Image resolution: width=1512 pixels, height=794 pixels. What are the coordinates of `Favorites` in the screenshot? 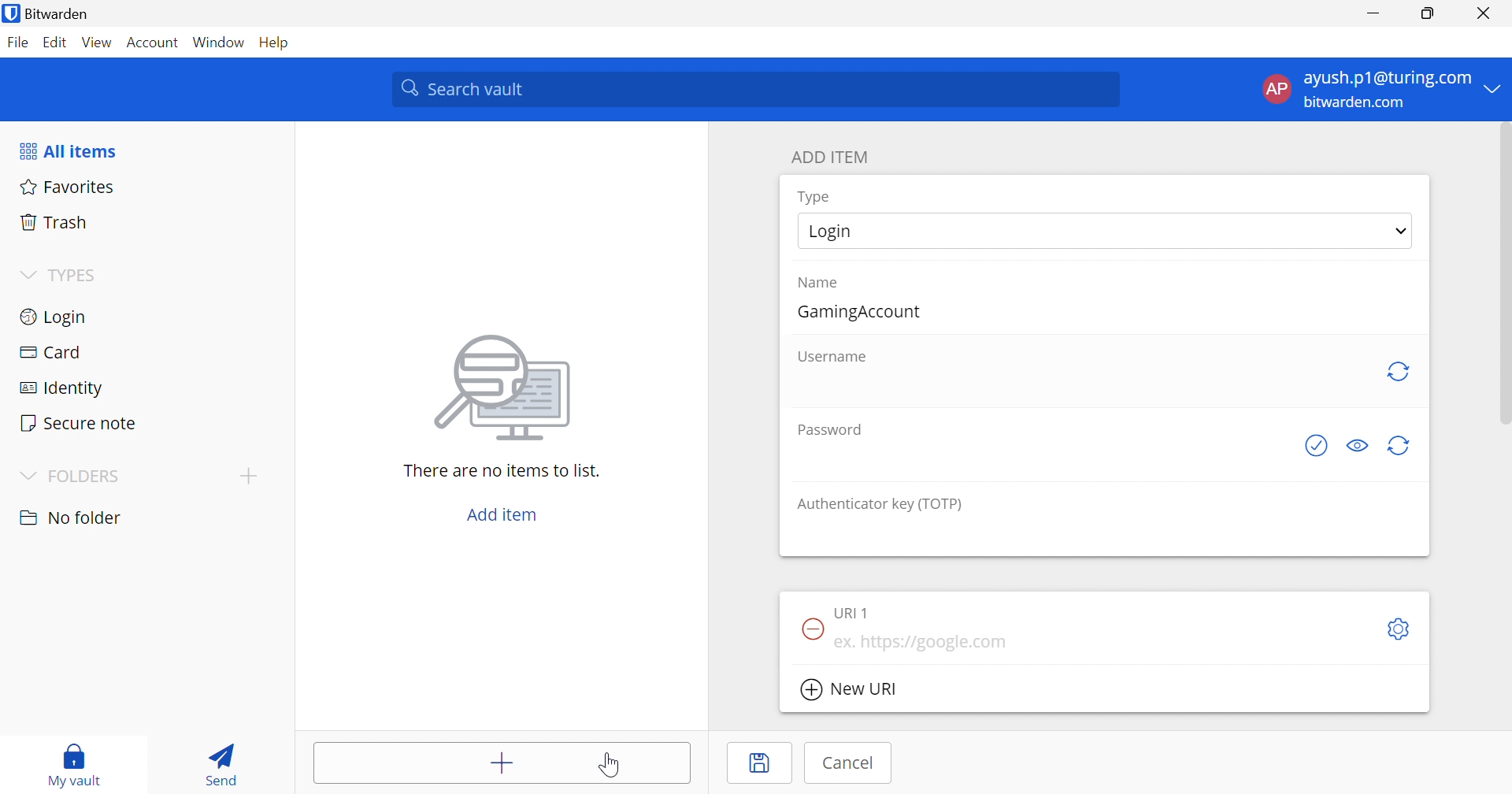 It's located at (68, 188).